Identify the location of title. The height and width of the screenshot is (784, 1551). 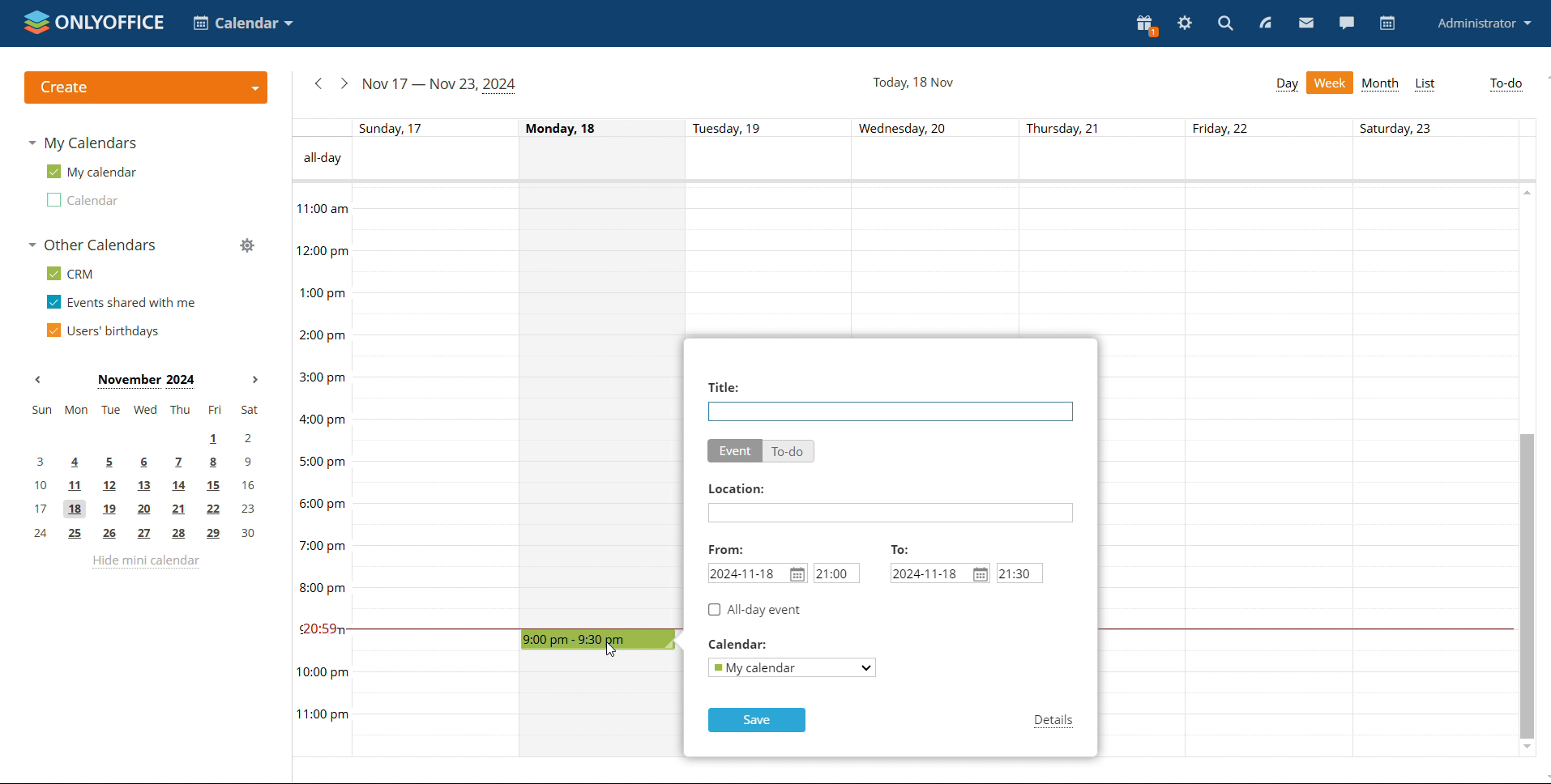
(724, 386).